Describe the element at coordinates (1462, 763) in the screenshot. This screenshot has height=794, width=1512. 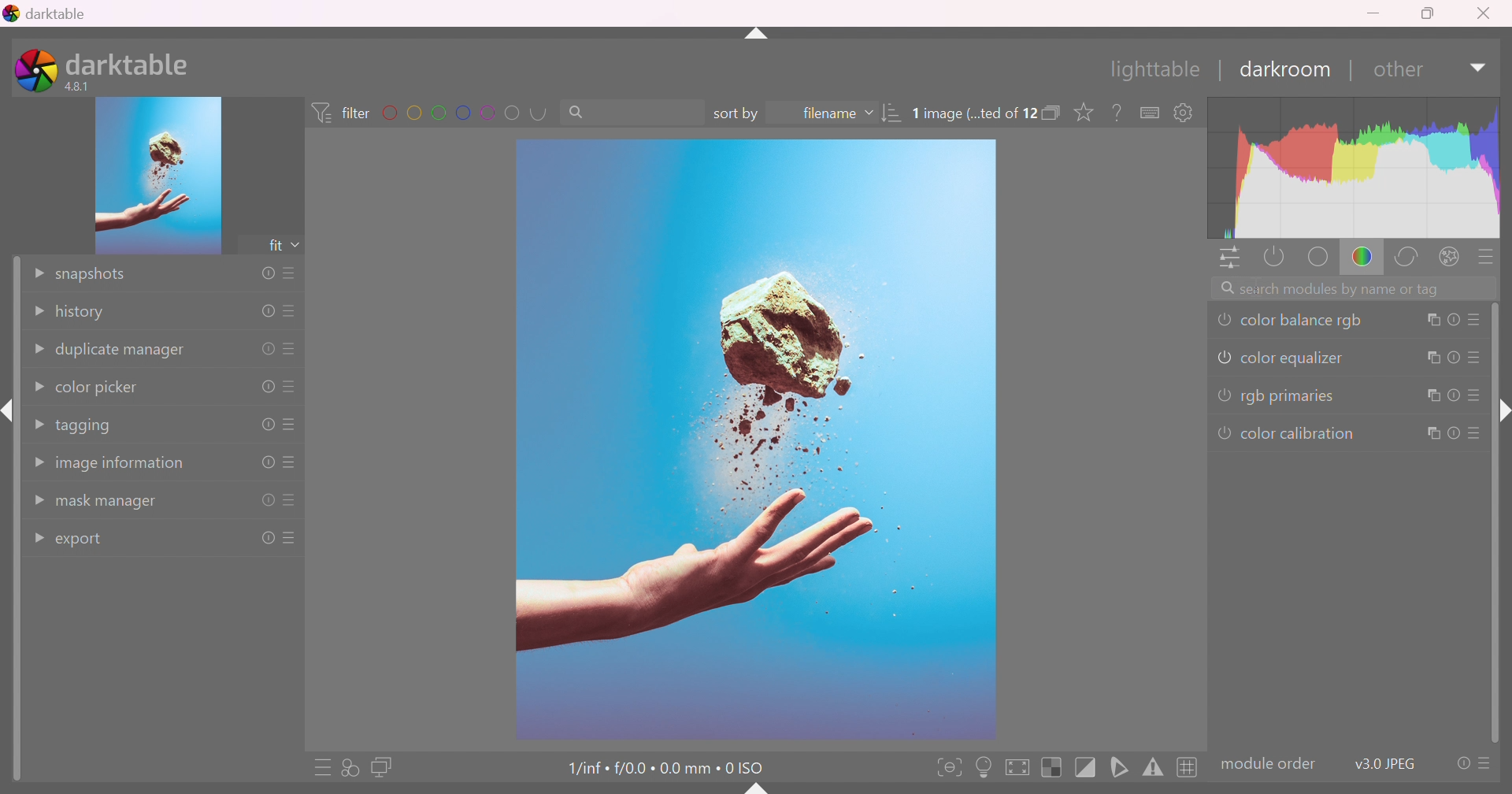
I see `reset` at that location.